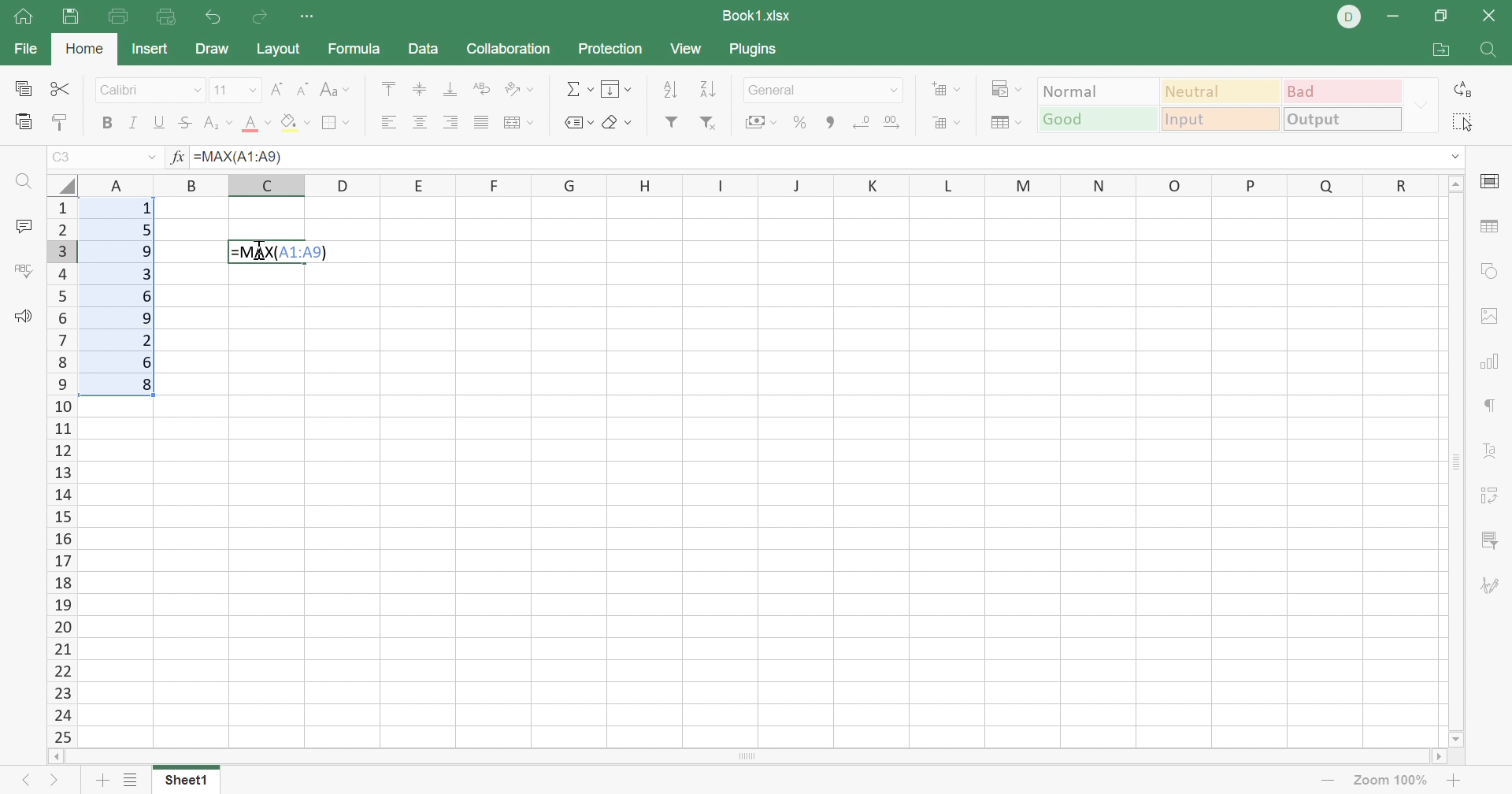  I want to click on Normal, so click(1099, 92).